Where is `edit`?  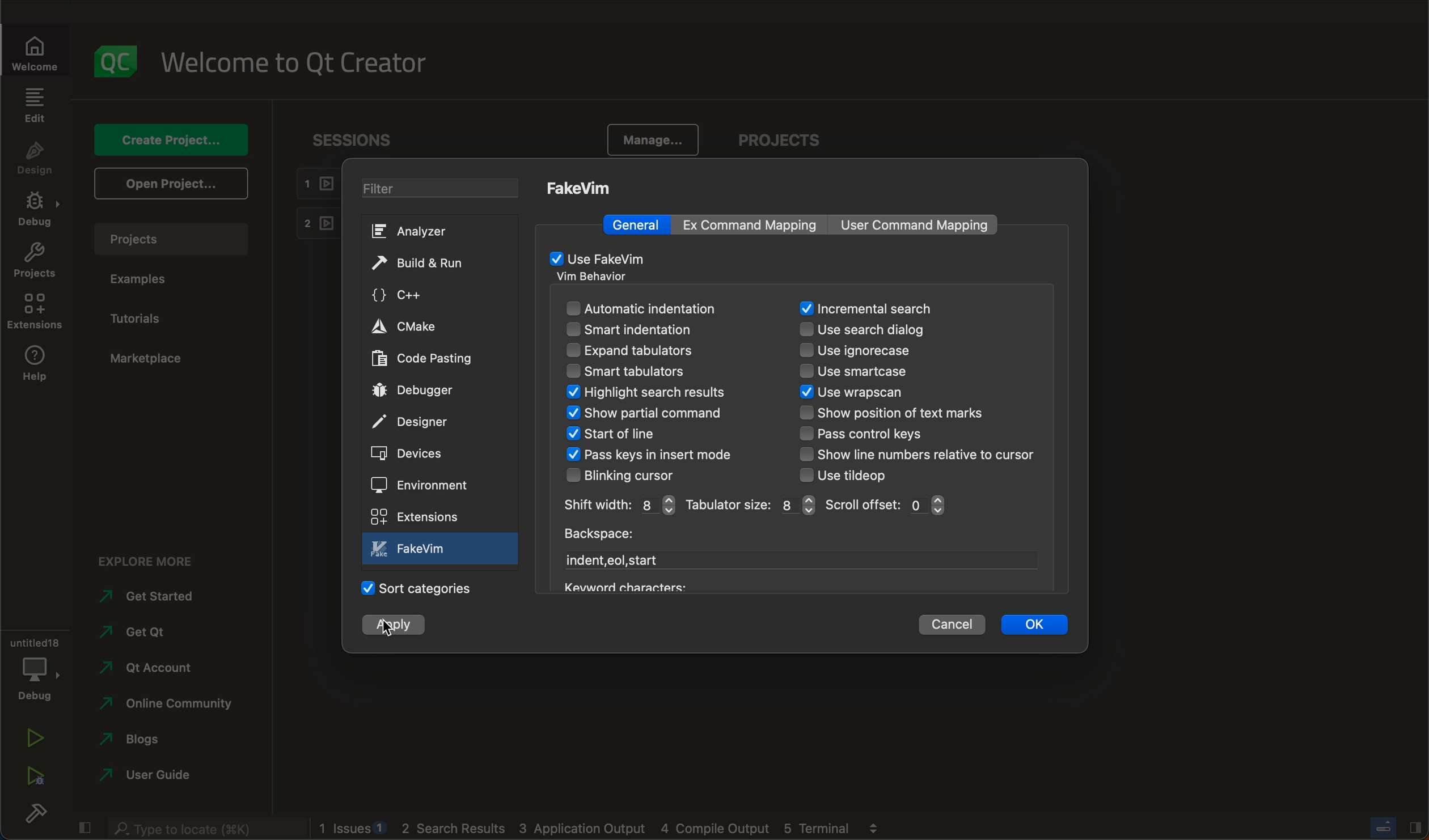 edit is located at coordinates (36, 105).